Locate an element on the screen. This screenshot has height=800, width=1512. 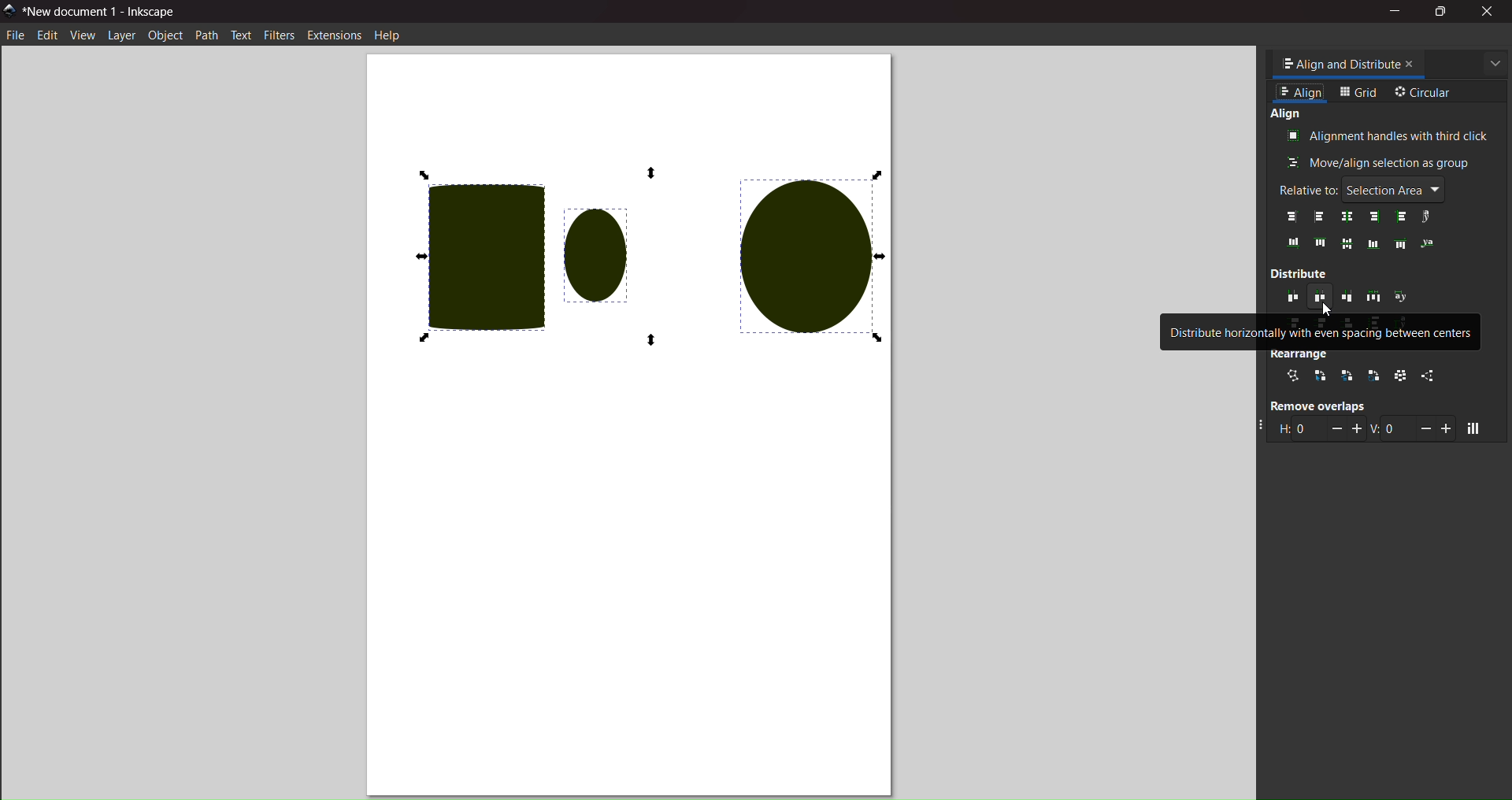
align is located at coordinates (1301, 94).